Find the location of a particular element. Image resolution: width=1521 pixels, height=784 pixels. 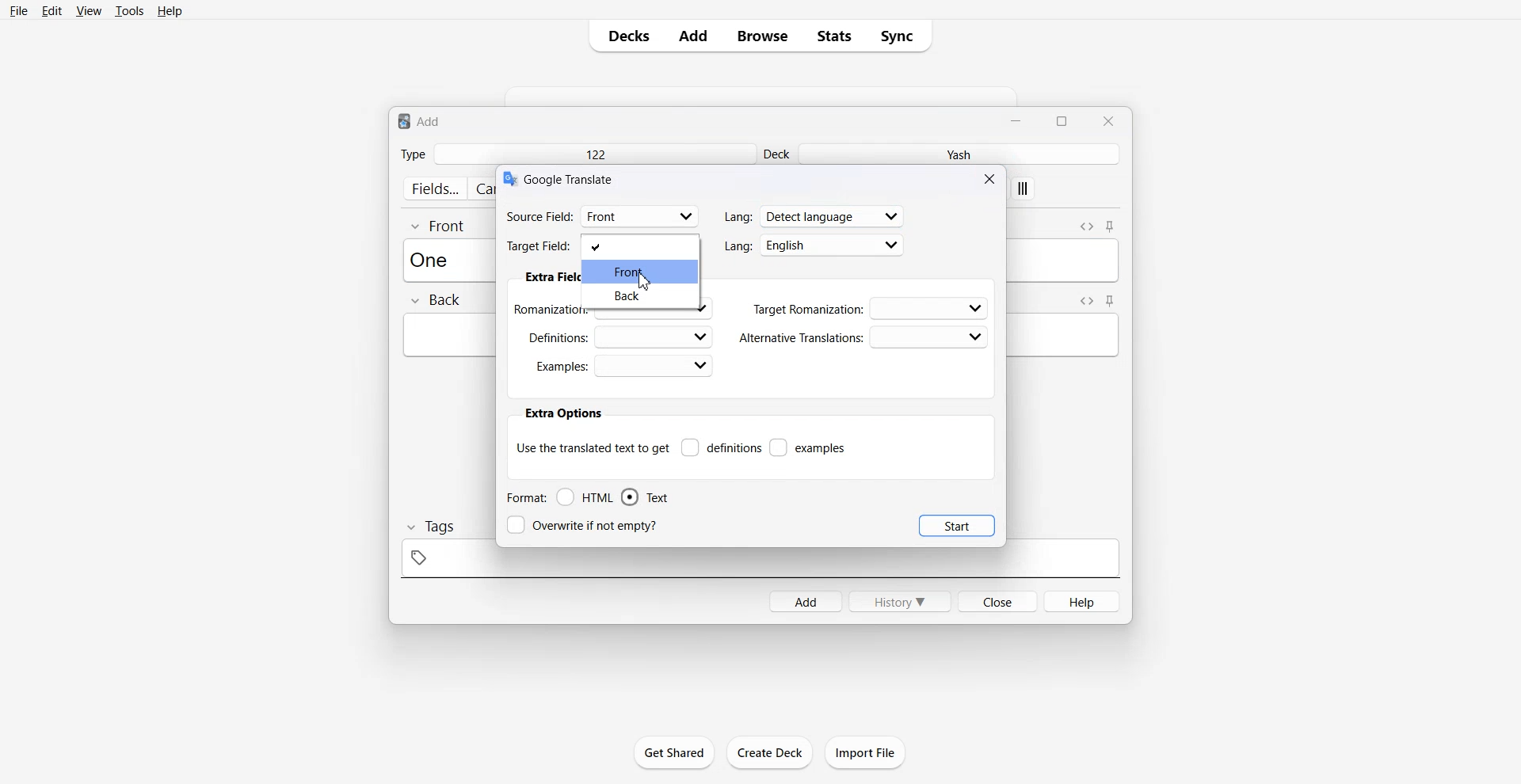

fields  is located at coordinates (434, 188).